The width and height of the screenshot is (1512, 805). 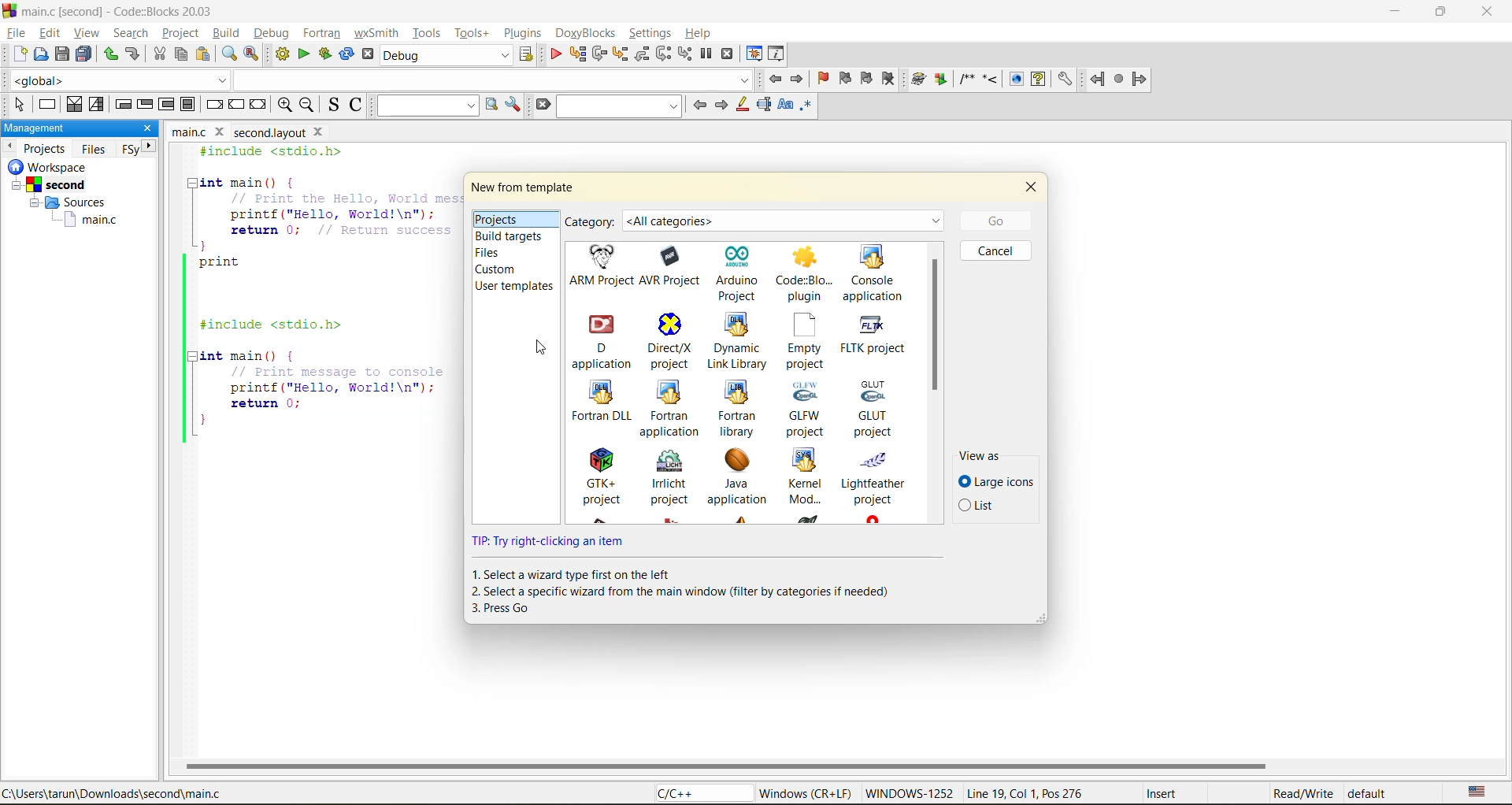 What do you see at coordinates (189, 106) in the screenshot?
I see `block instruction` at bounding box center [189, 106].